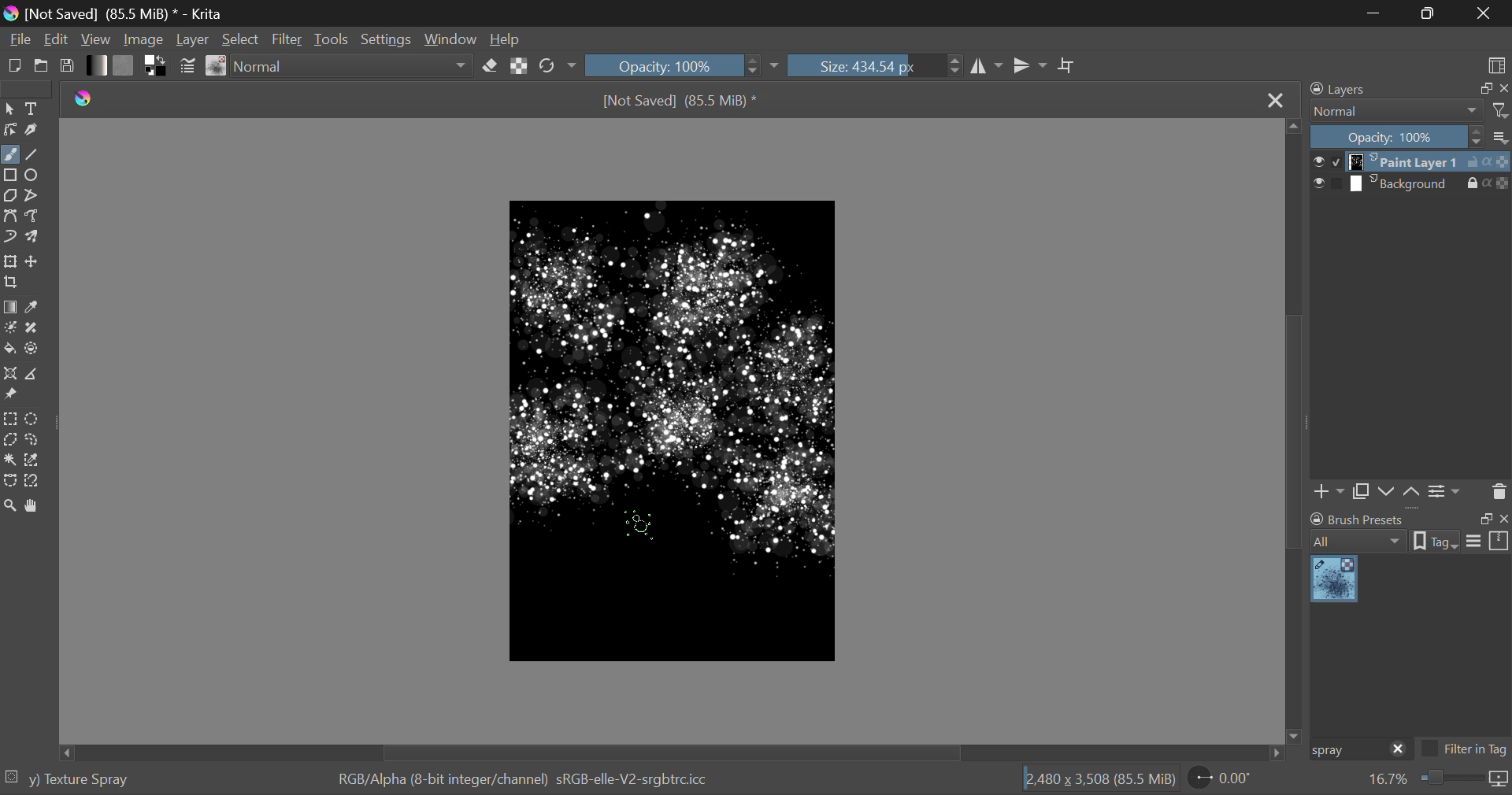 The height and width of the screenshot is (795, 1512). Describe the element at coordinates (684, 65) in the screenshot. I see `Opacity` at that location.